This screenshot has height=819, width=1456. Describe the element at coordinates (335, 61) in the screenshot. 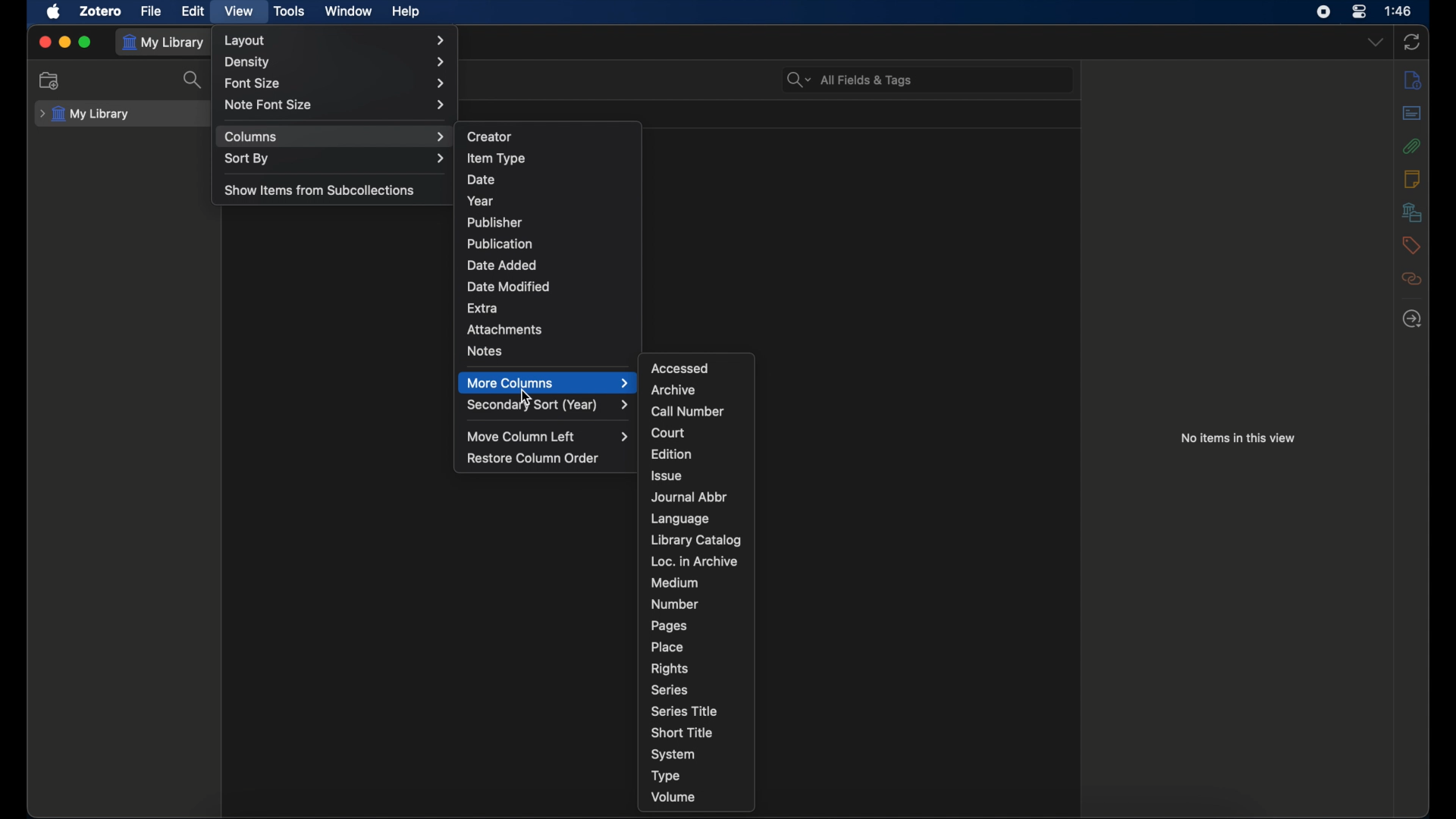

I see `density` at that location.